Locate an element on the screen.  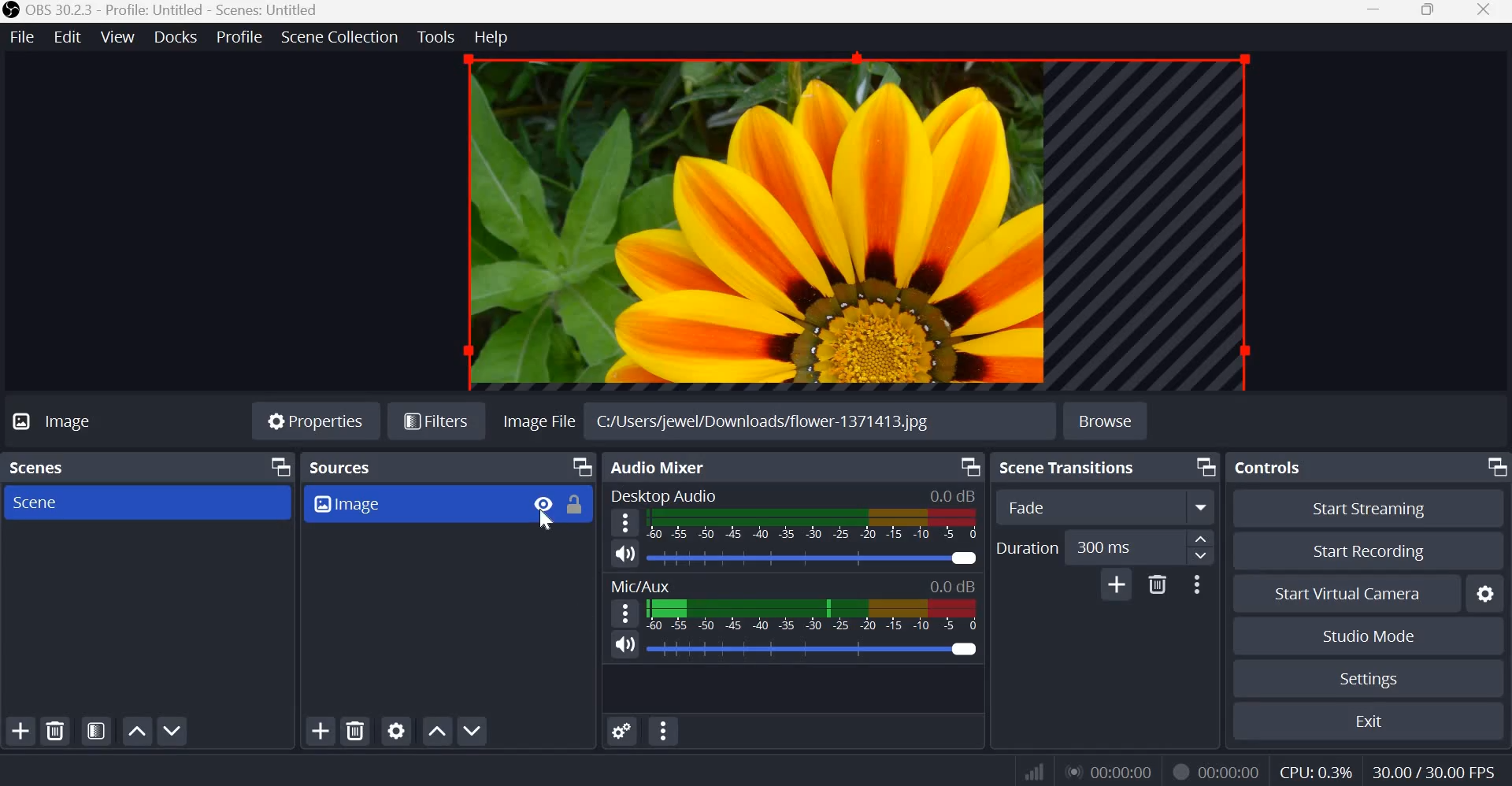
docks is located at coordinates (176, 34).